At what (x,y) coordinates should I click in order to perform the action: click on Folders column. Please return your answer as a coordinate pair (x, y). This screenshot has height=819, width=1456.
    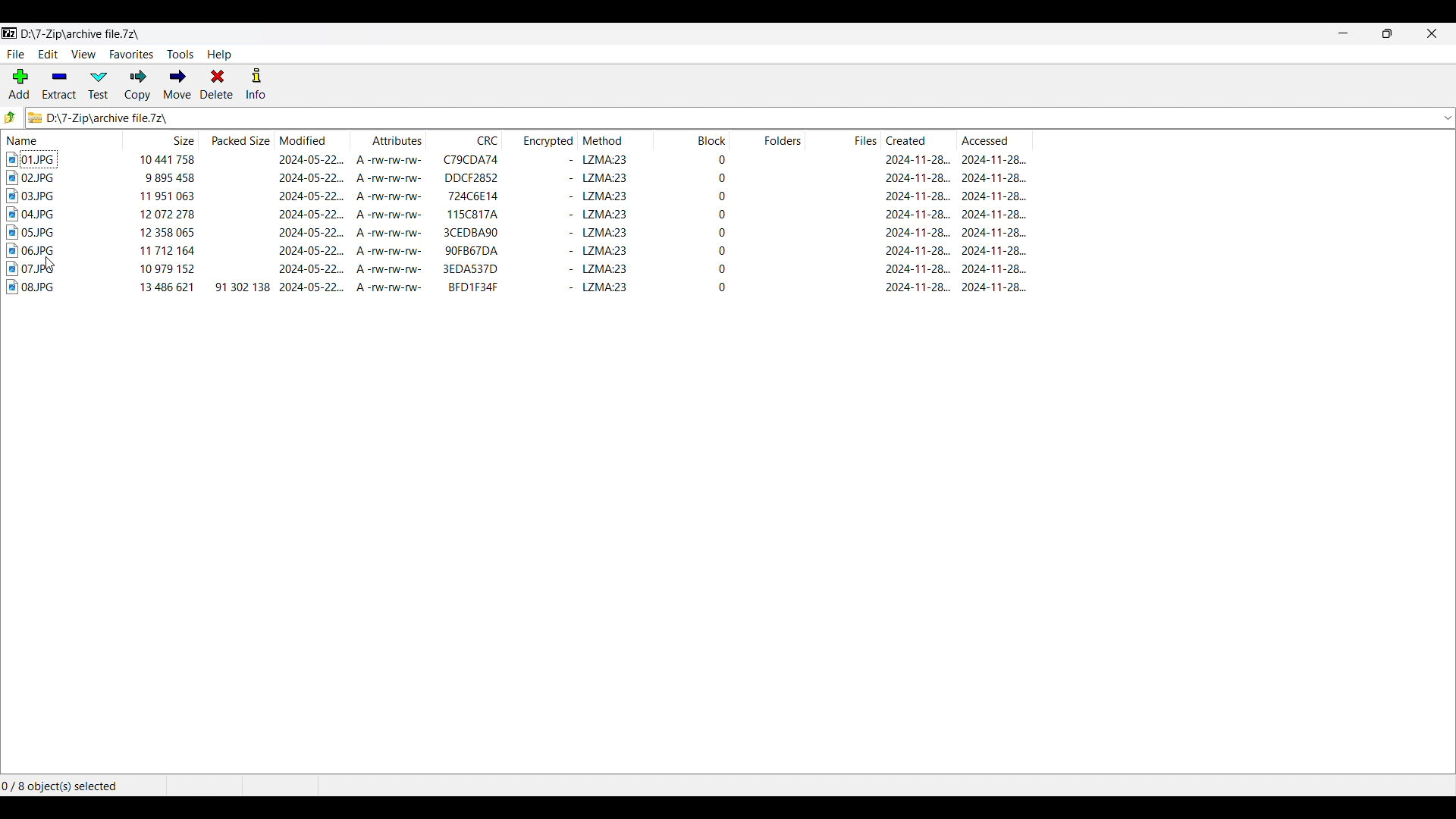
    Looking at the image, I should click on (767, 140).